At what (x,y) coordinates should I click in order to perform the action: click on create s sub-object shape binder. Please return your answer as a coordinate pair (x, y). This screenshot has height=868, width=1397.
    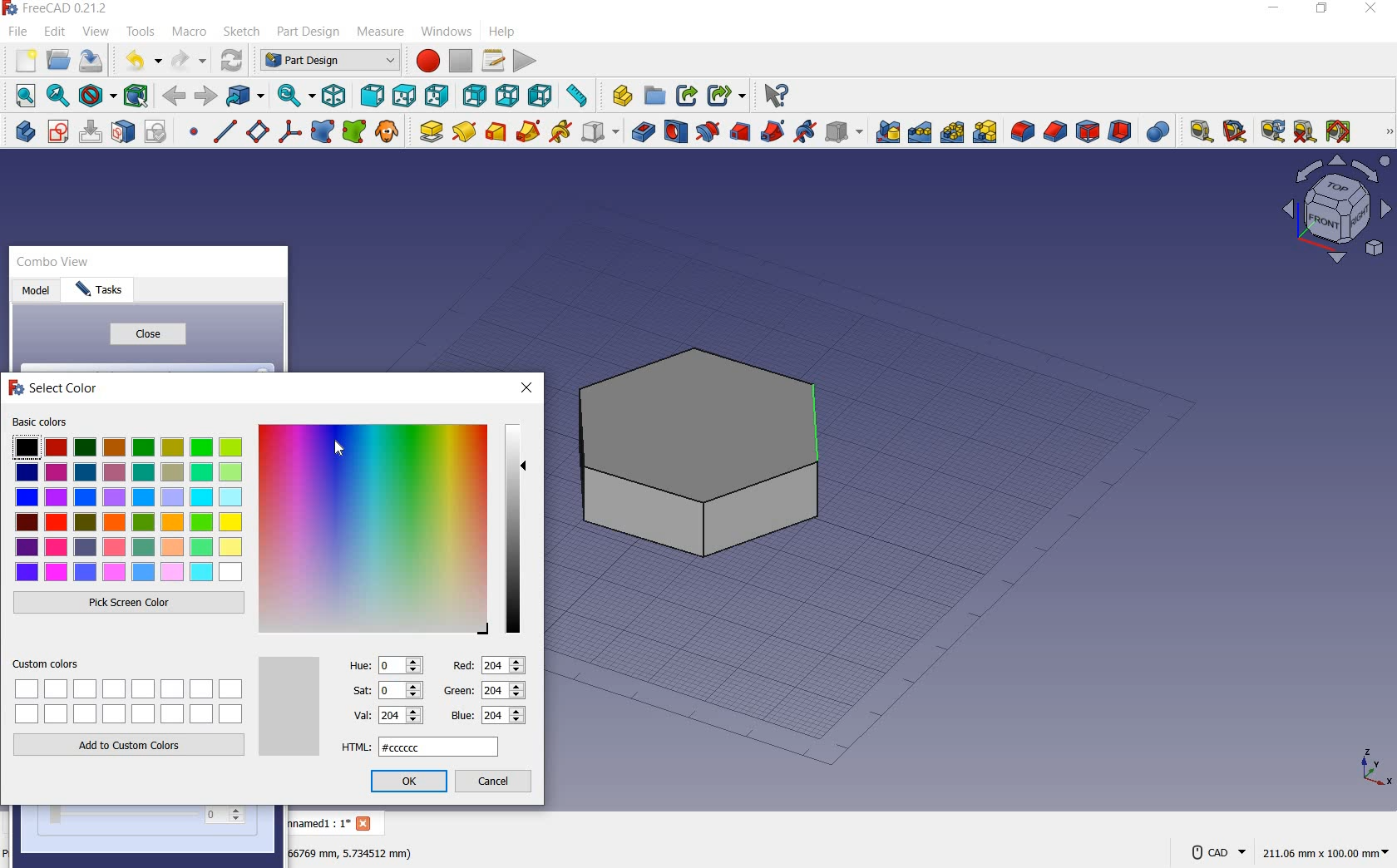
    Looking at the image, I should click on (354, 132).